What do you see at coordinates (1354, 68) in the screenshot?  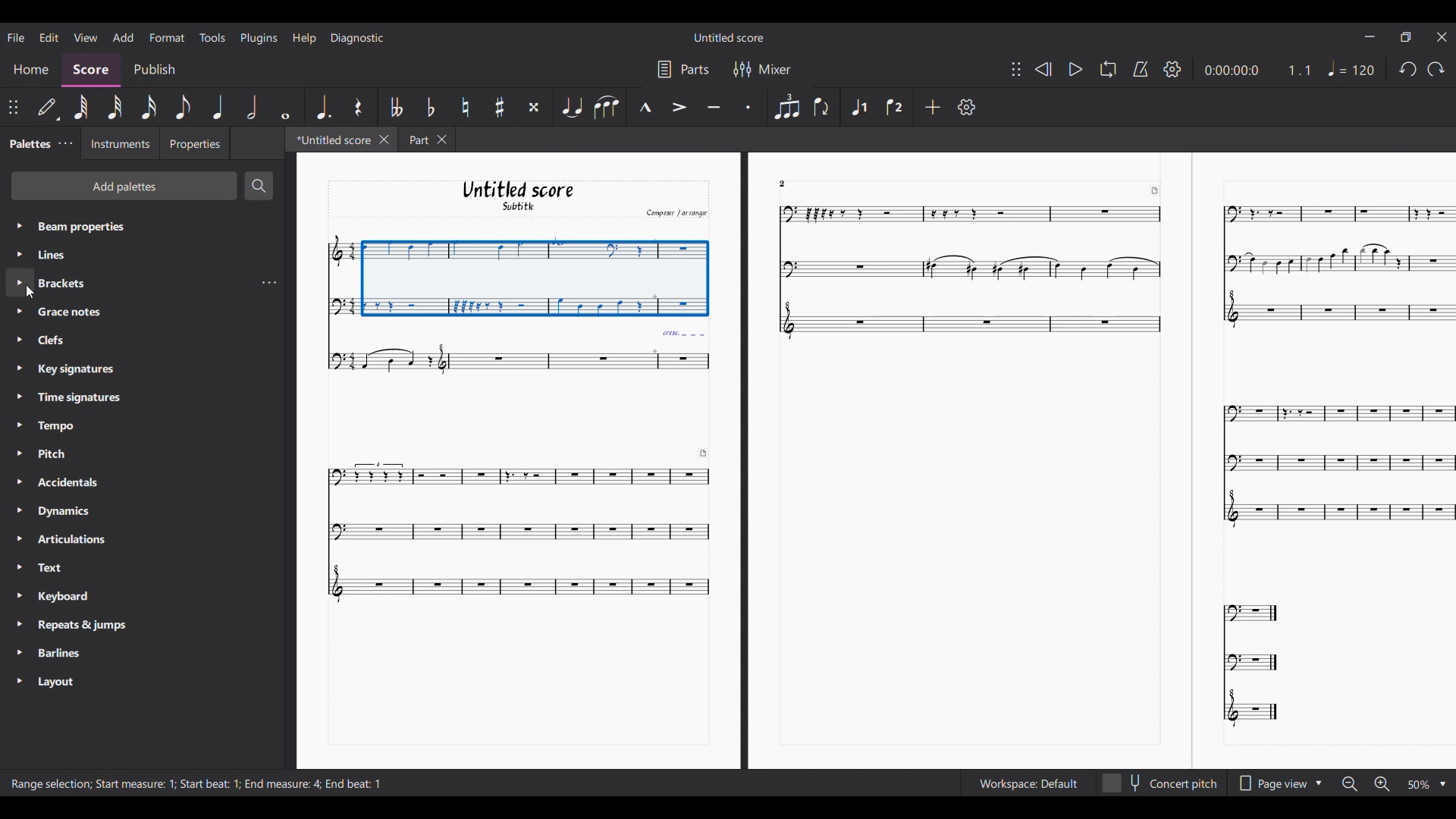 I see `Tempo` at bounding box center [1354, 68].